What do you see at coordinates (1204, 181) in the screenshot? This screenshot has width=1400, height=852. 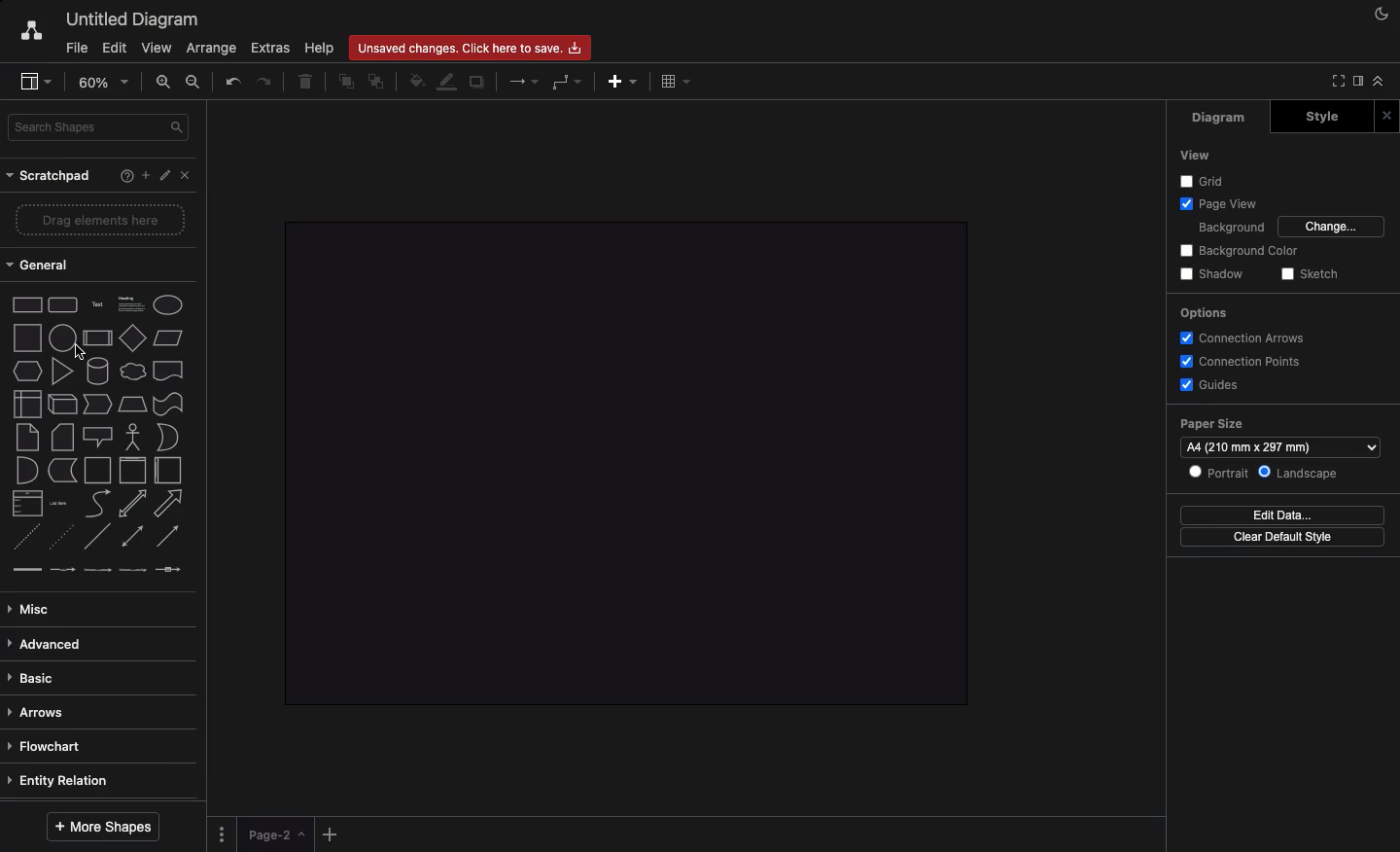 I see `Grid` at bounding box center [1204, 181].